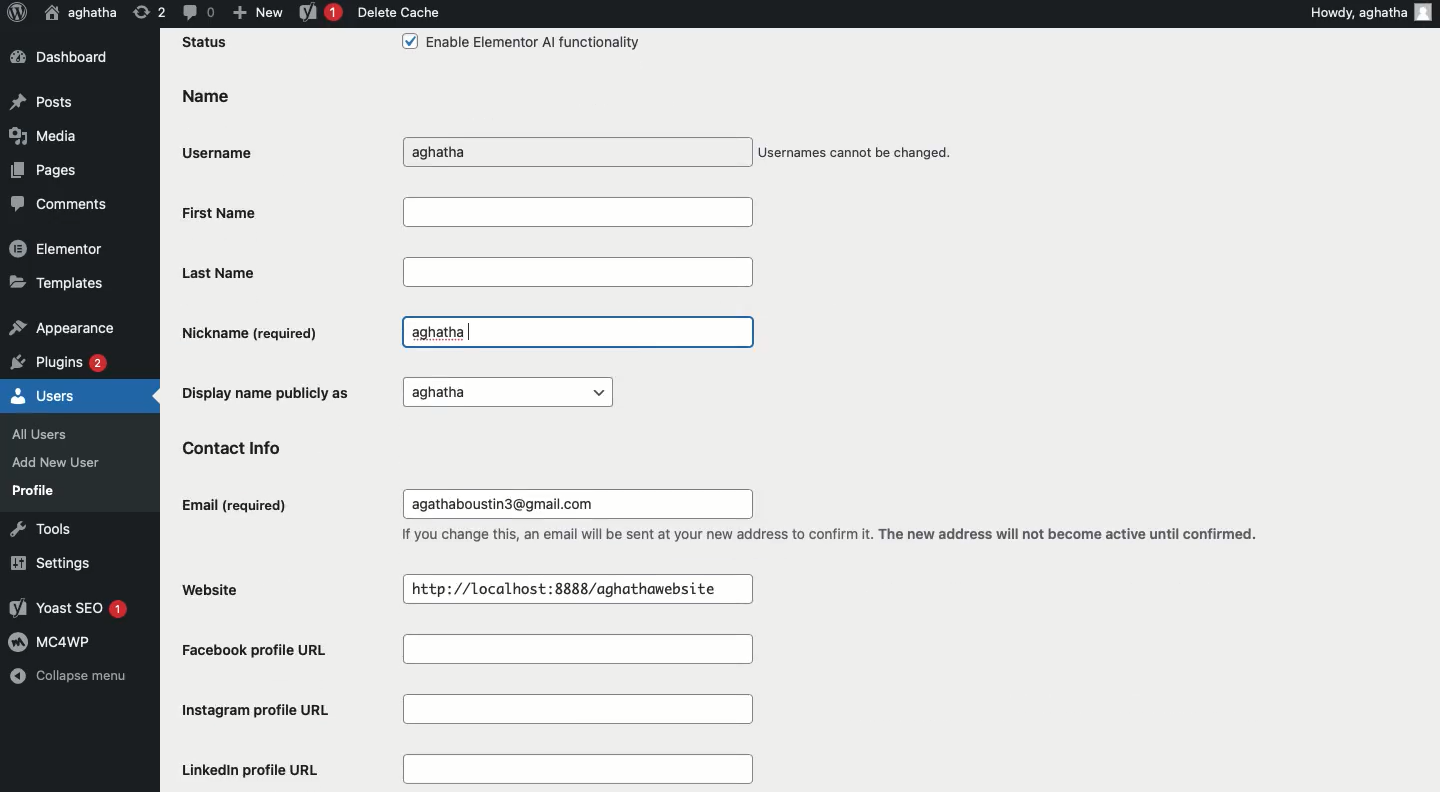  I want to click on Instagram profile URL., so click(472, 711).